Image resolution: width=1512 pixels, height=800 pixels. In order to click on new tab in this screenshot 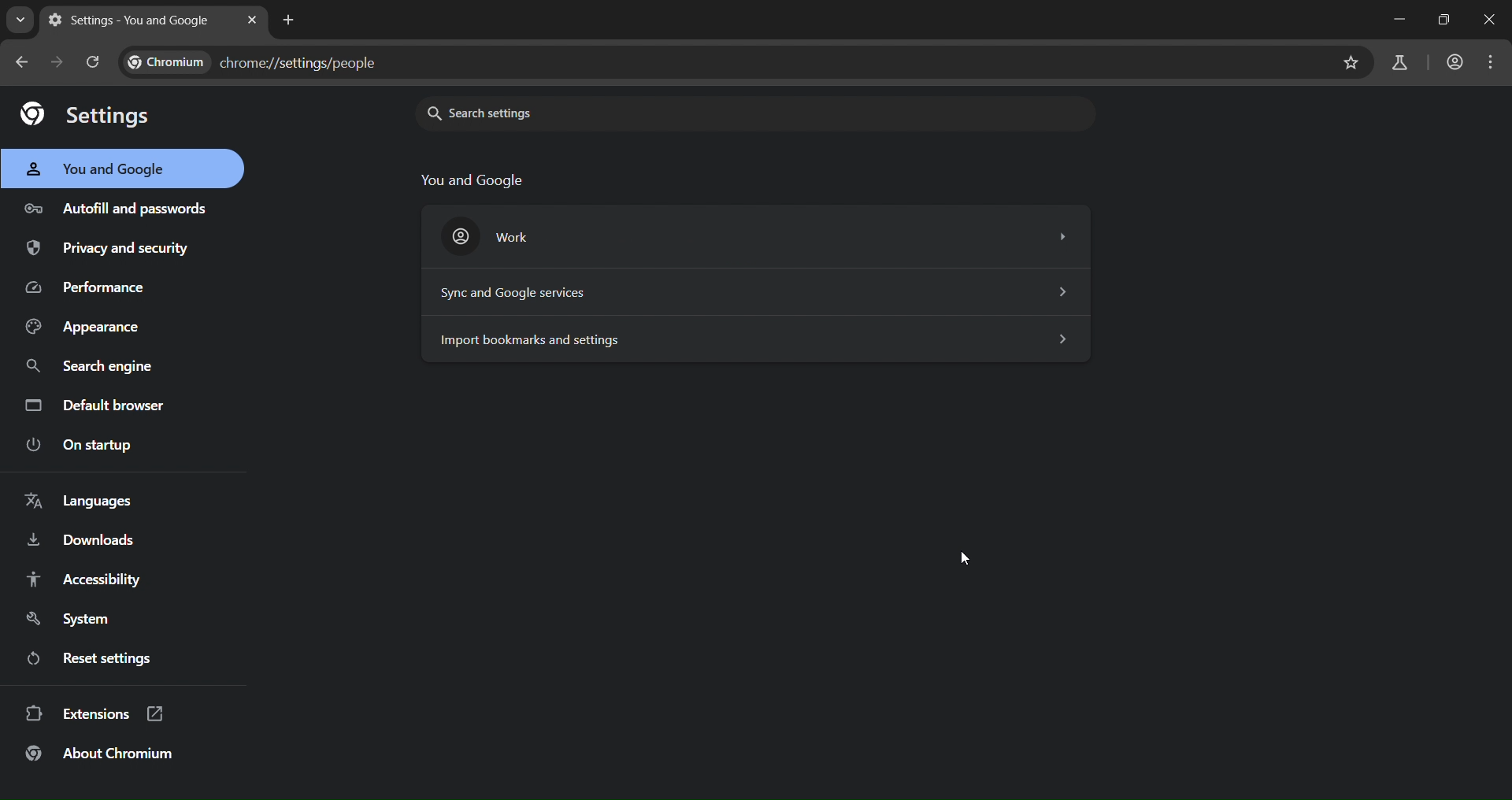, I will do `click(285, 20)`.